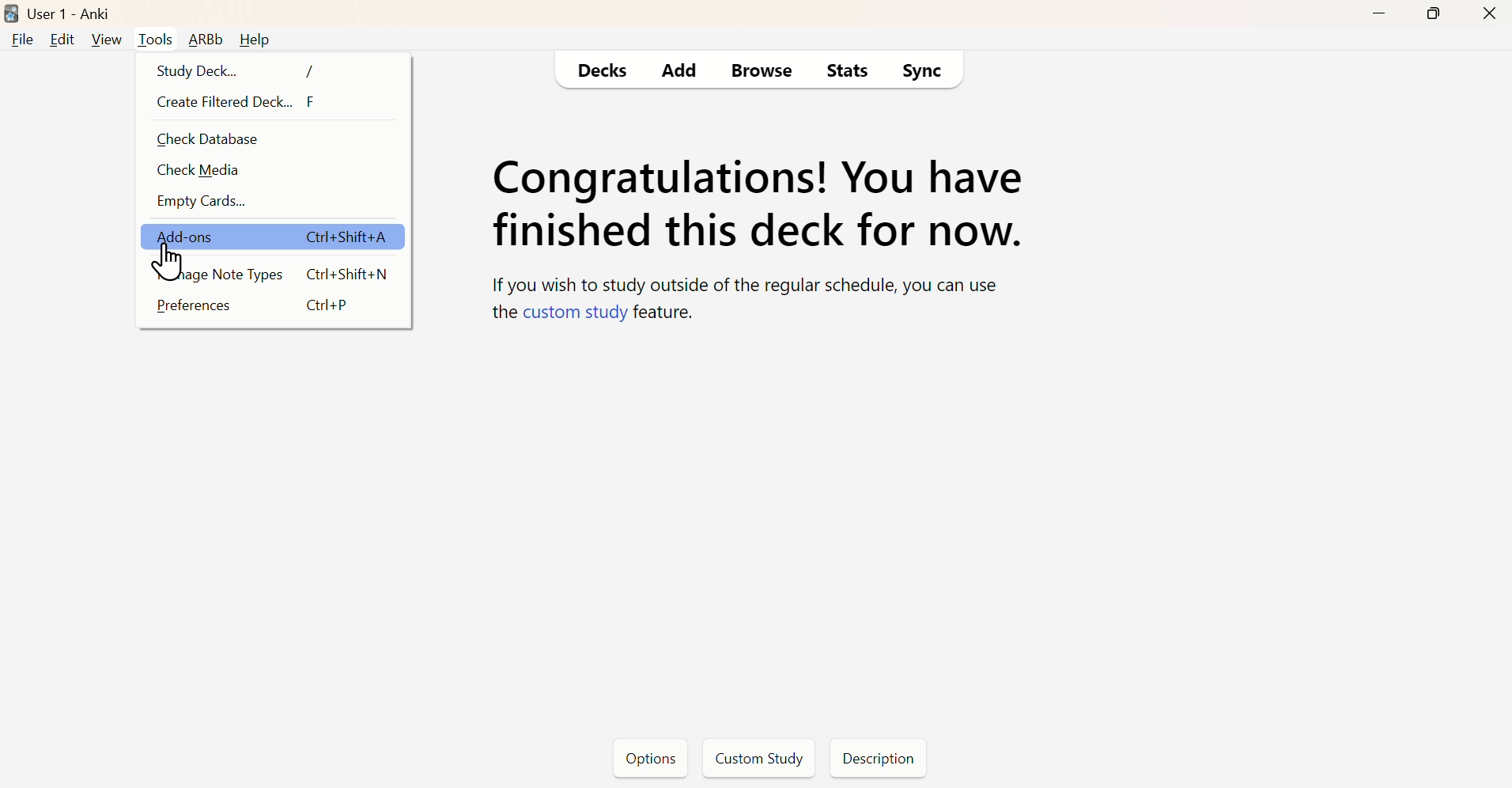 This screenshot has width=1512, height=788. What do you see at coordinates (846, 72) in the screenshot?
I see `Stats` at bounding box center [846, 72].